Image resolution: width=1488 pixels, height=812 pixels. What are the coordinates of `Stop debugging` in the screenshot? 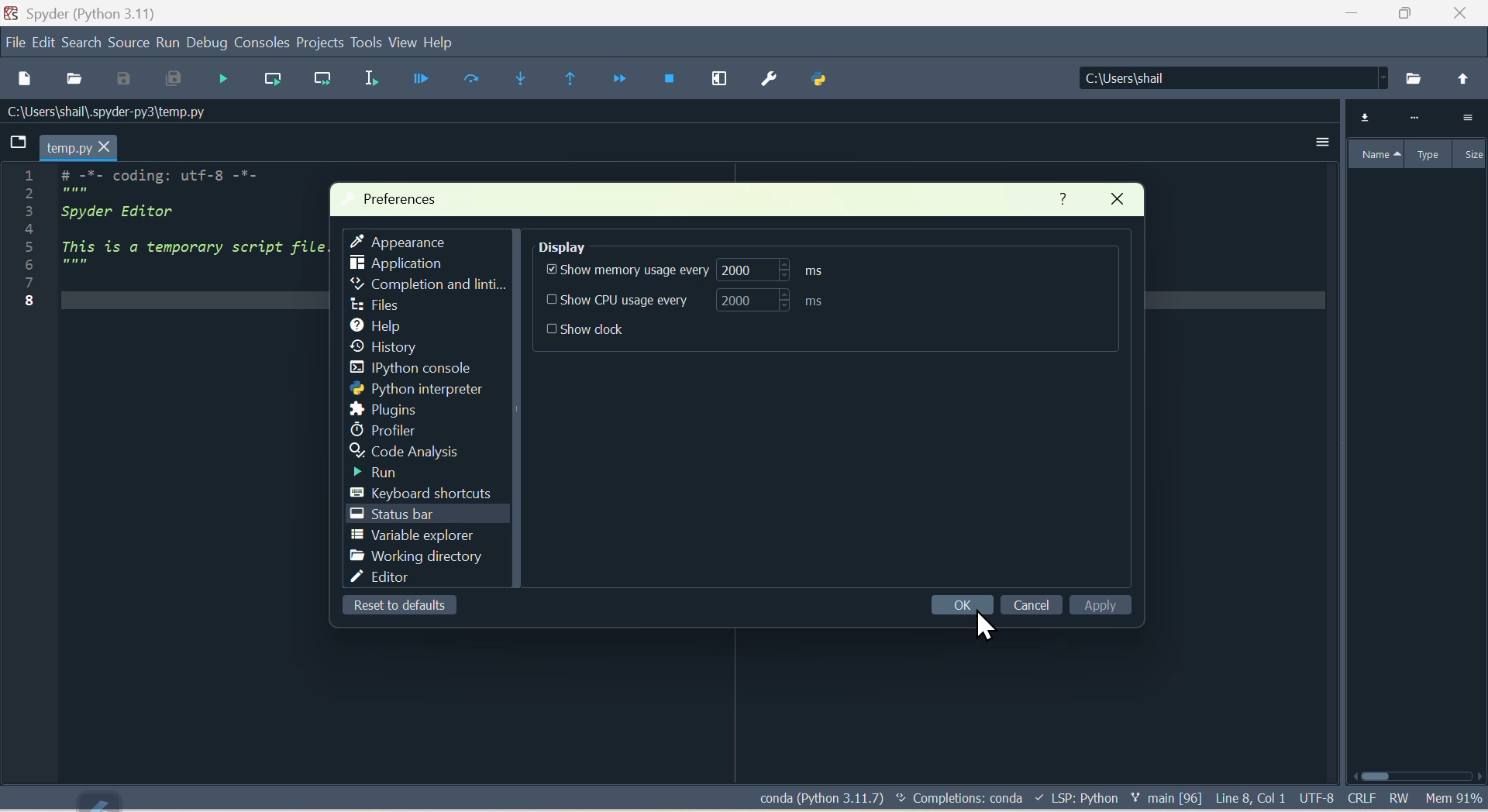 It's located at (664, 79).